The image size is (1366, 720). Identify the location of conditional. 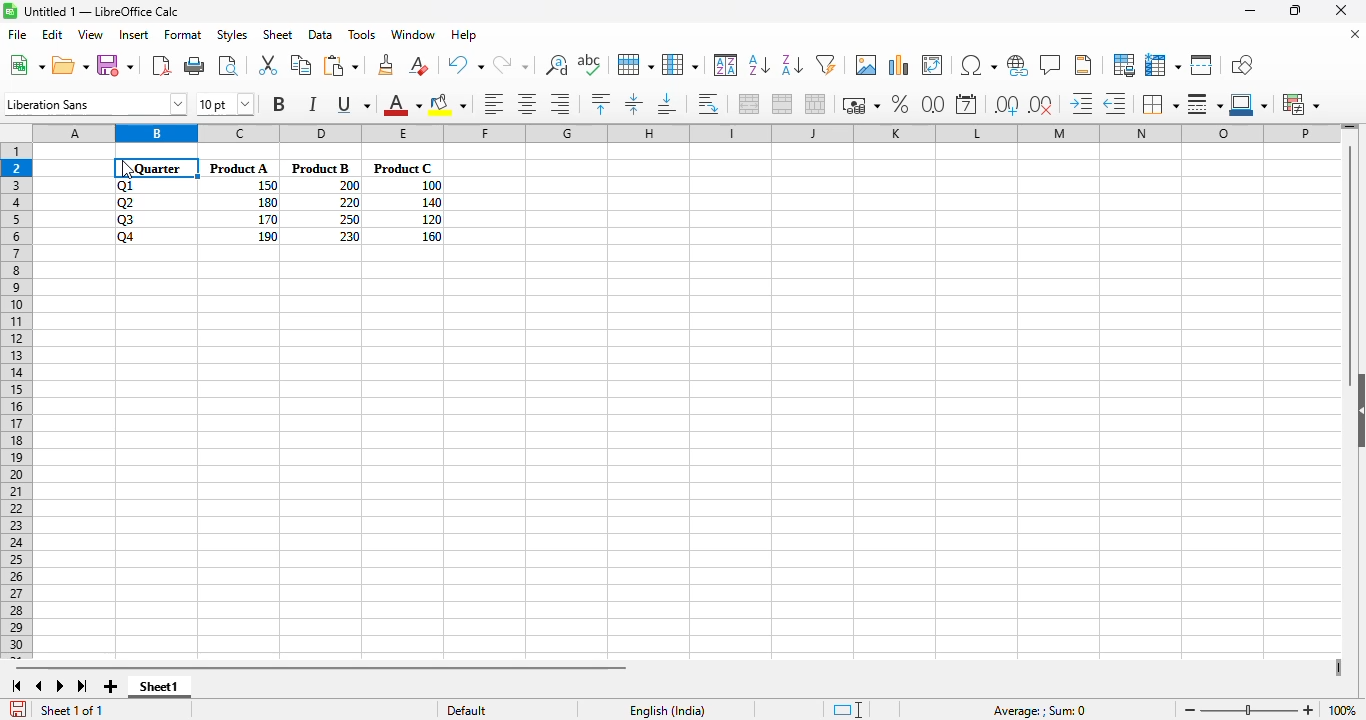
(1300, 104).